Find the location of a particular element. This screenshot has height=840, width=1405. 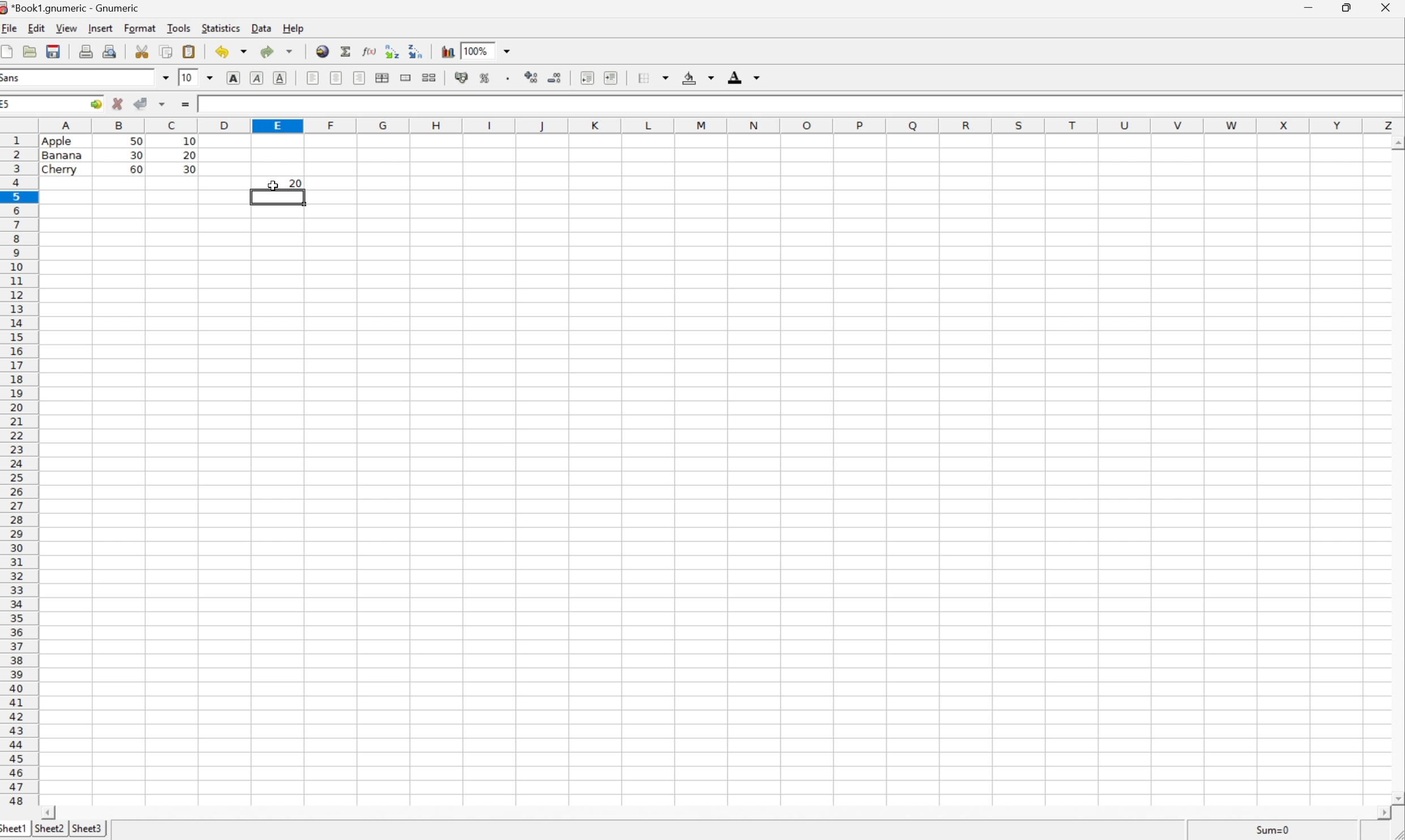

format selection as accounting is located at coordinates (462, 78).